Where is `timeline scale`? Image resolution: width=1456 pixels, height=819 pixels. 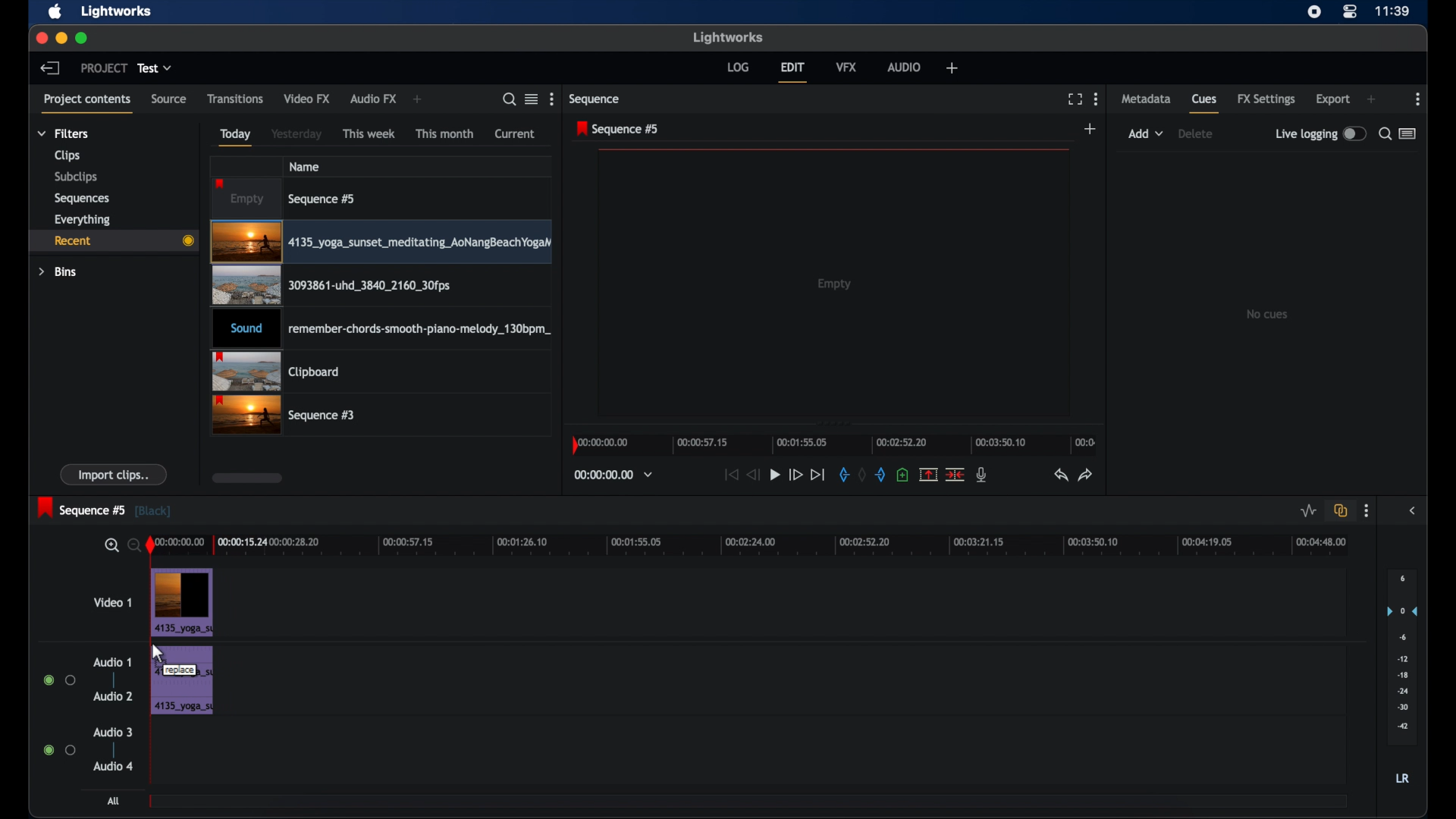
timeline scale is located at coordinates (758, 546).